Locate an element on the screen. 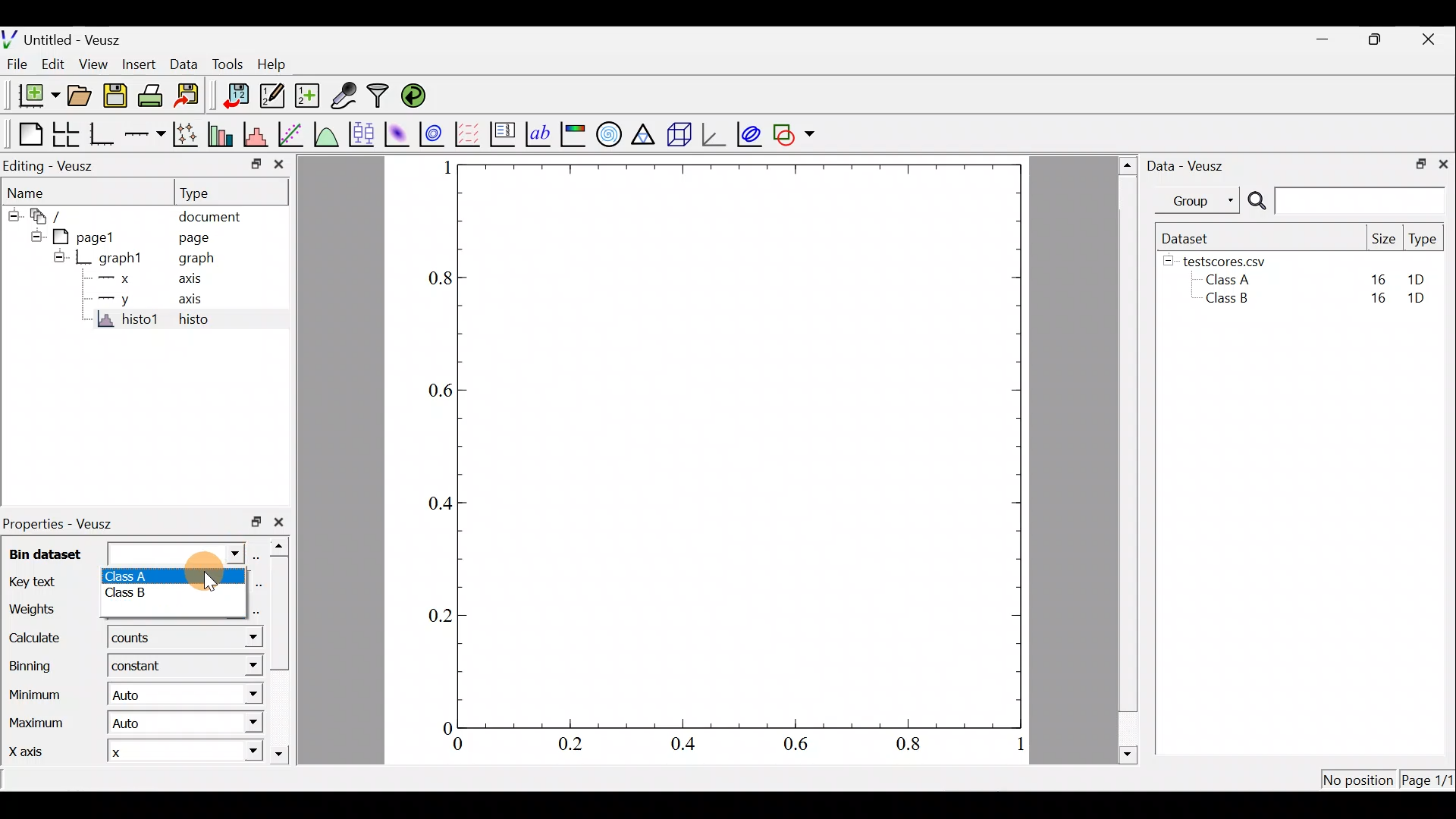 Image resolution: width=1456 pixels, height=819 pixels. Edit and enter new datasets is located at coordinates (269, 96).